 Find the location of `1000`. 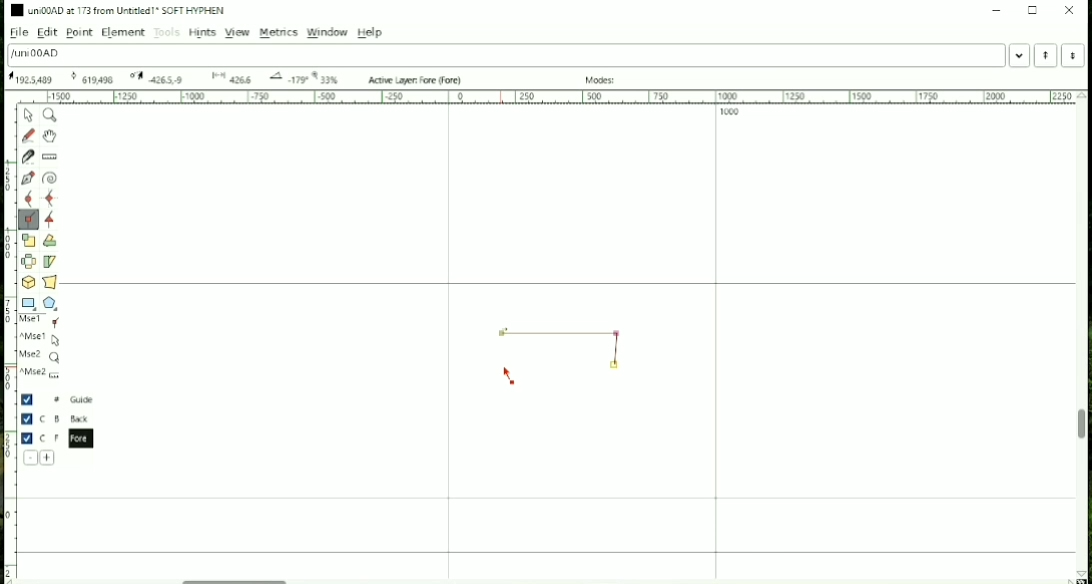

1000 is located at coordinates (730, 113).